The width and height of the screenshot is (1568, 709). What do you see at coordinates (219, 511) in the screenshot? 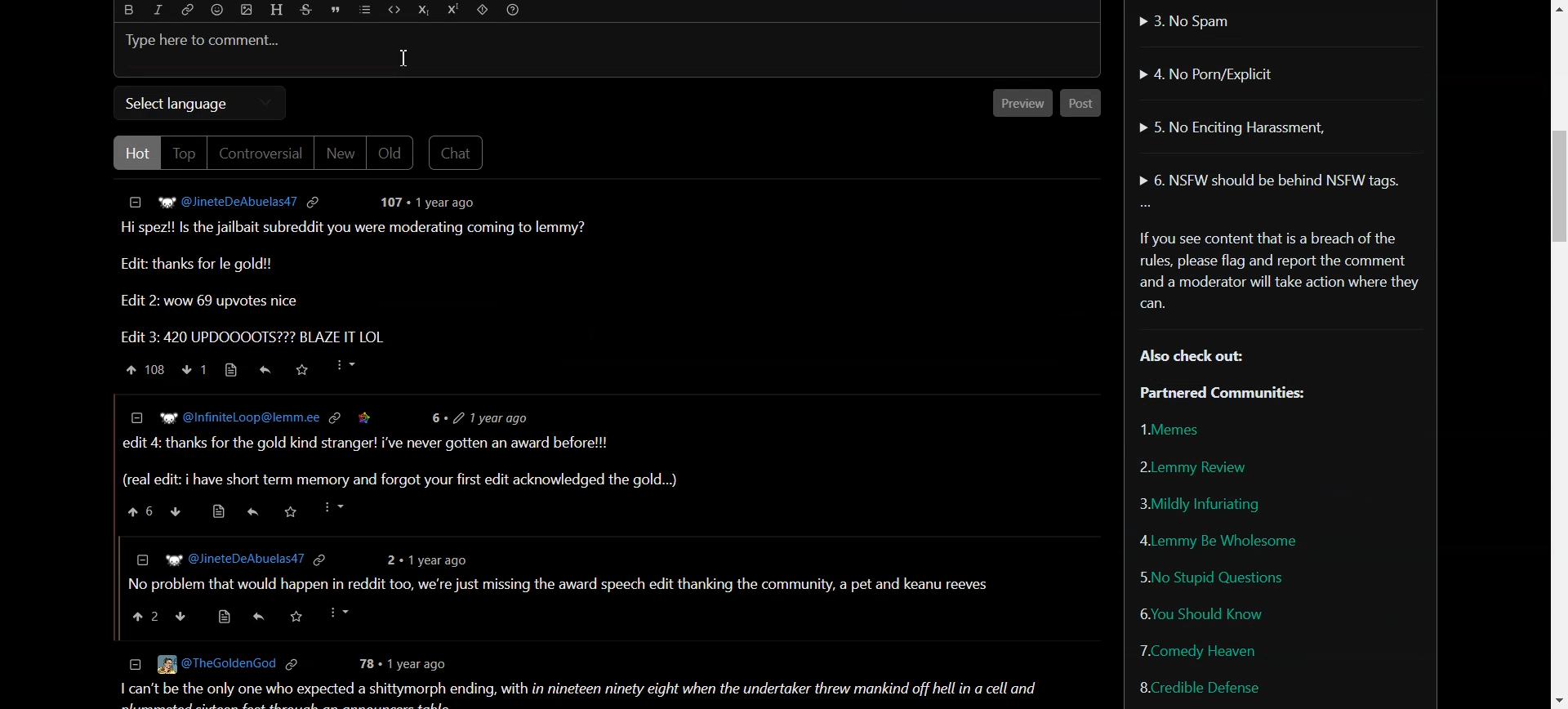
I see `source` at bounding box center [219, 511].